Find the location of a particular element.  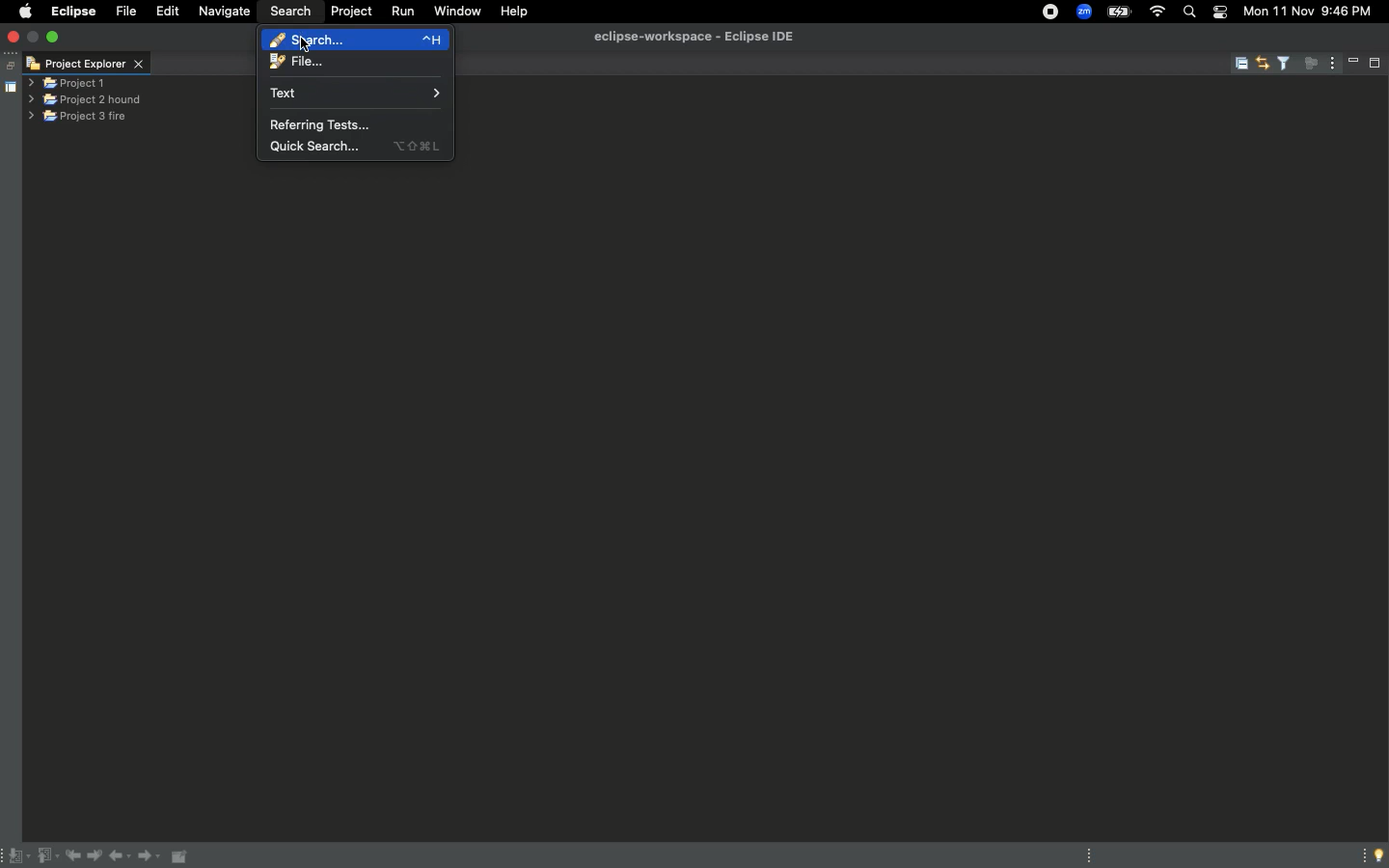

Collapse all is located at coordinates (1239, 68).